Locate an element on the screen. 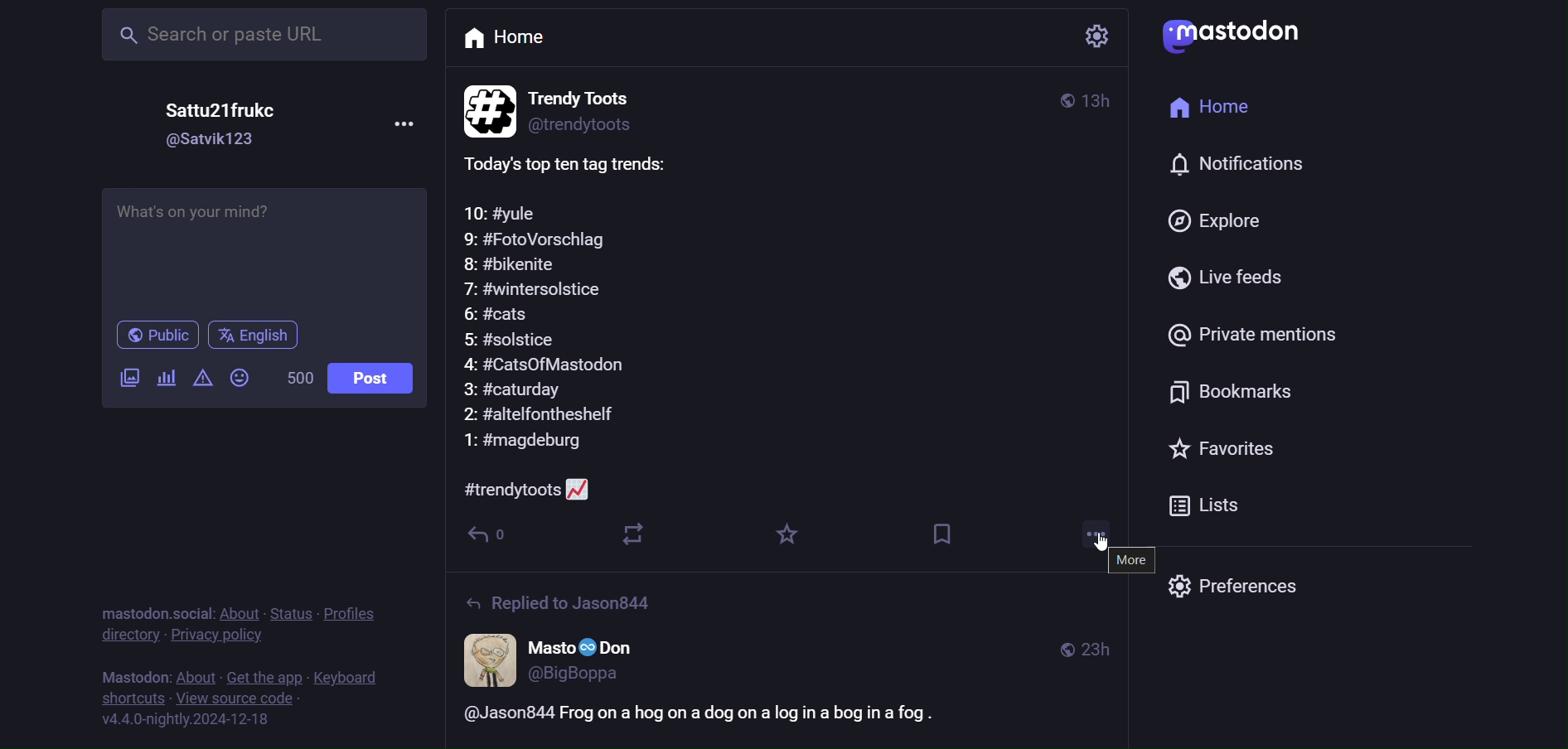  directory is located at coordinates (128, 638).